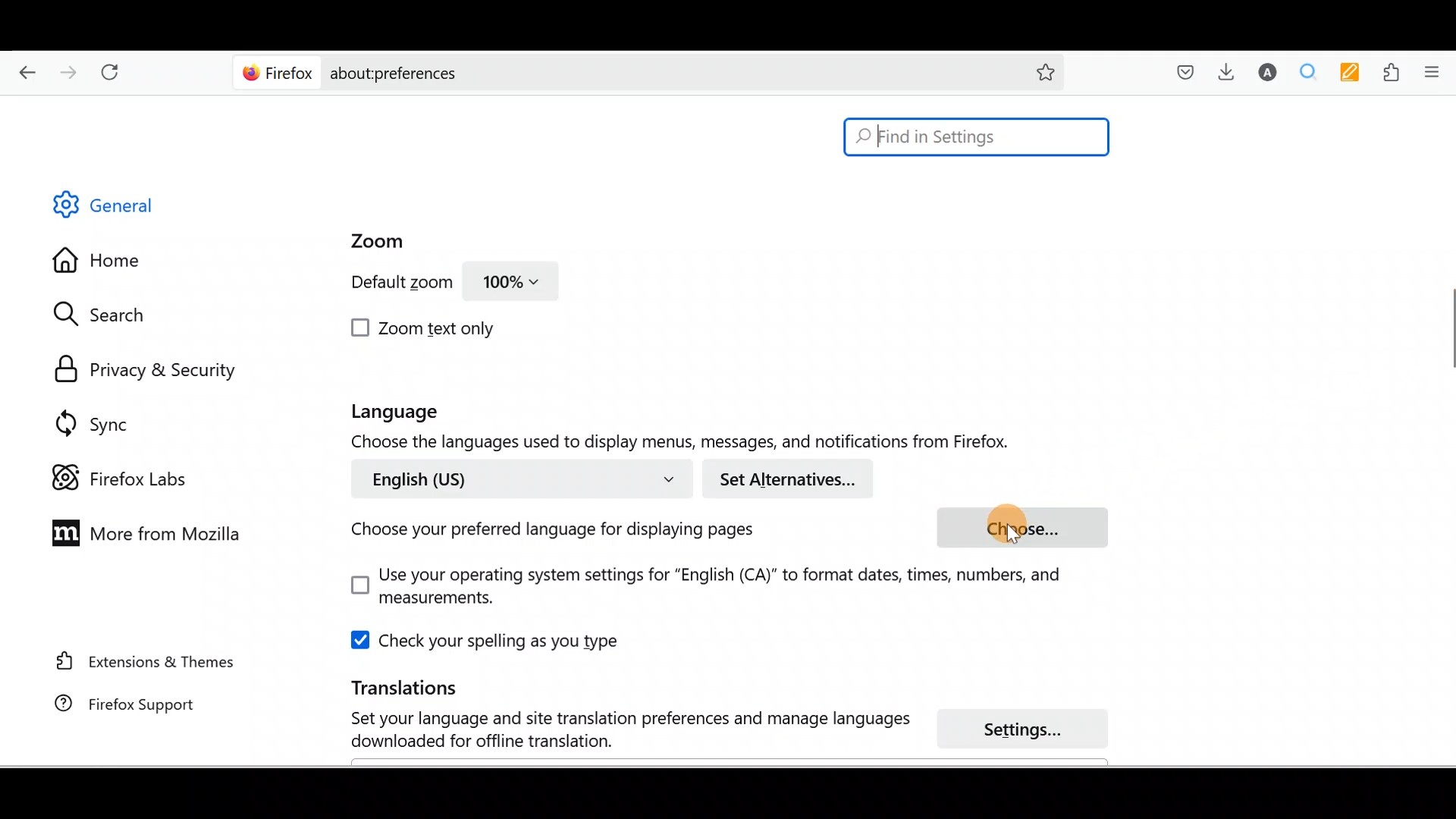  Describe the element at coordinates (389, 285) in the screenshot. I see `Default zoom` at that location.